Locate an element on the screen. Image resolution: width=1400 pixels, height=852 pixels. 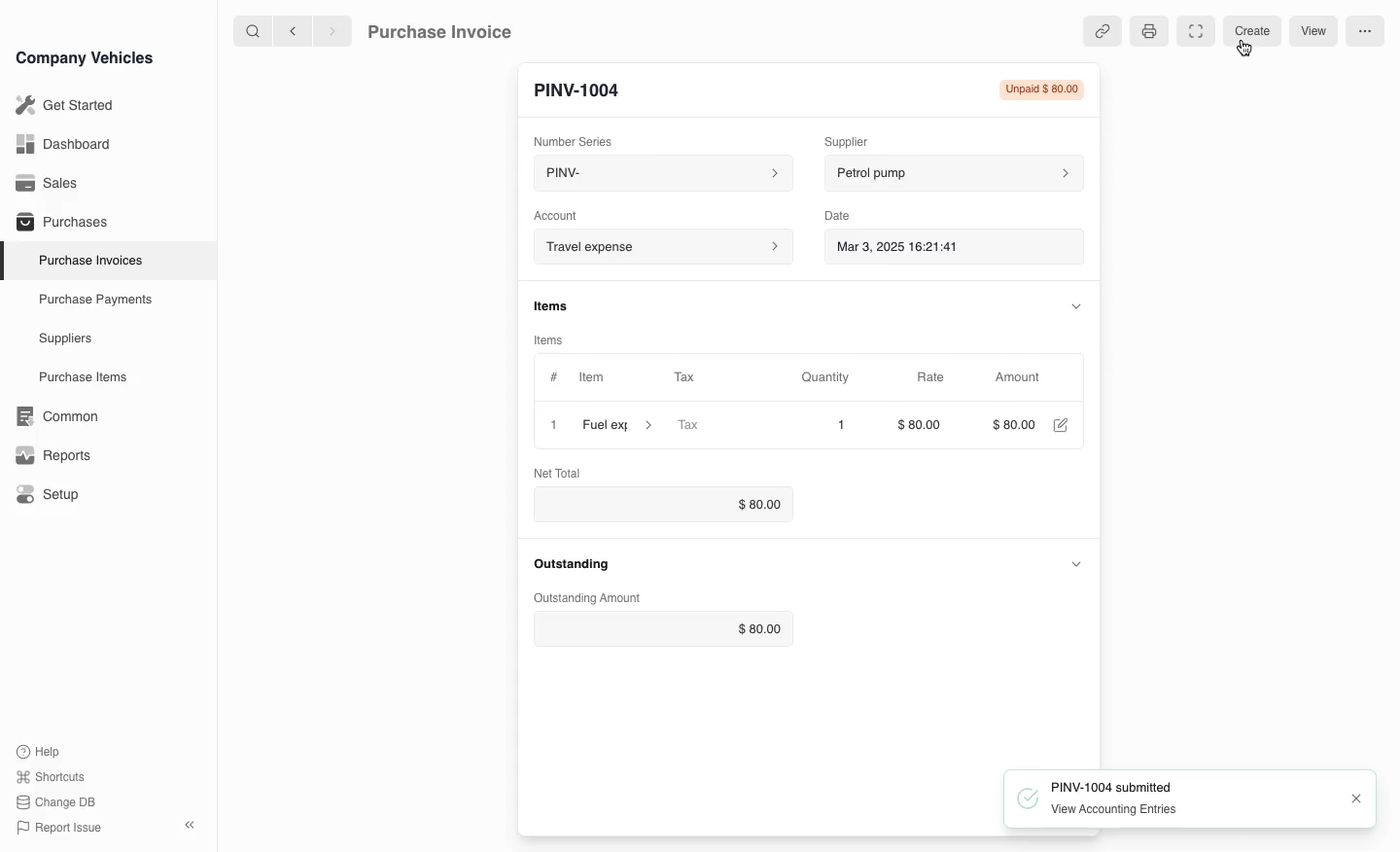
Mar 3, 2025 16:21:41 is located at coordinates (935, 248).